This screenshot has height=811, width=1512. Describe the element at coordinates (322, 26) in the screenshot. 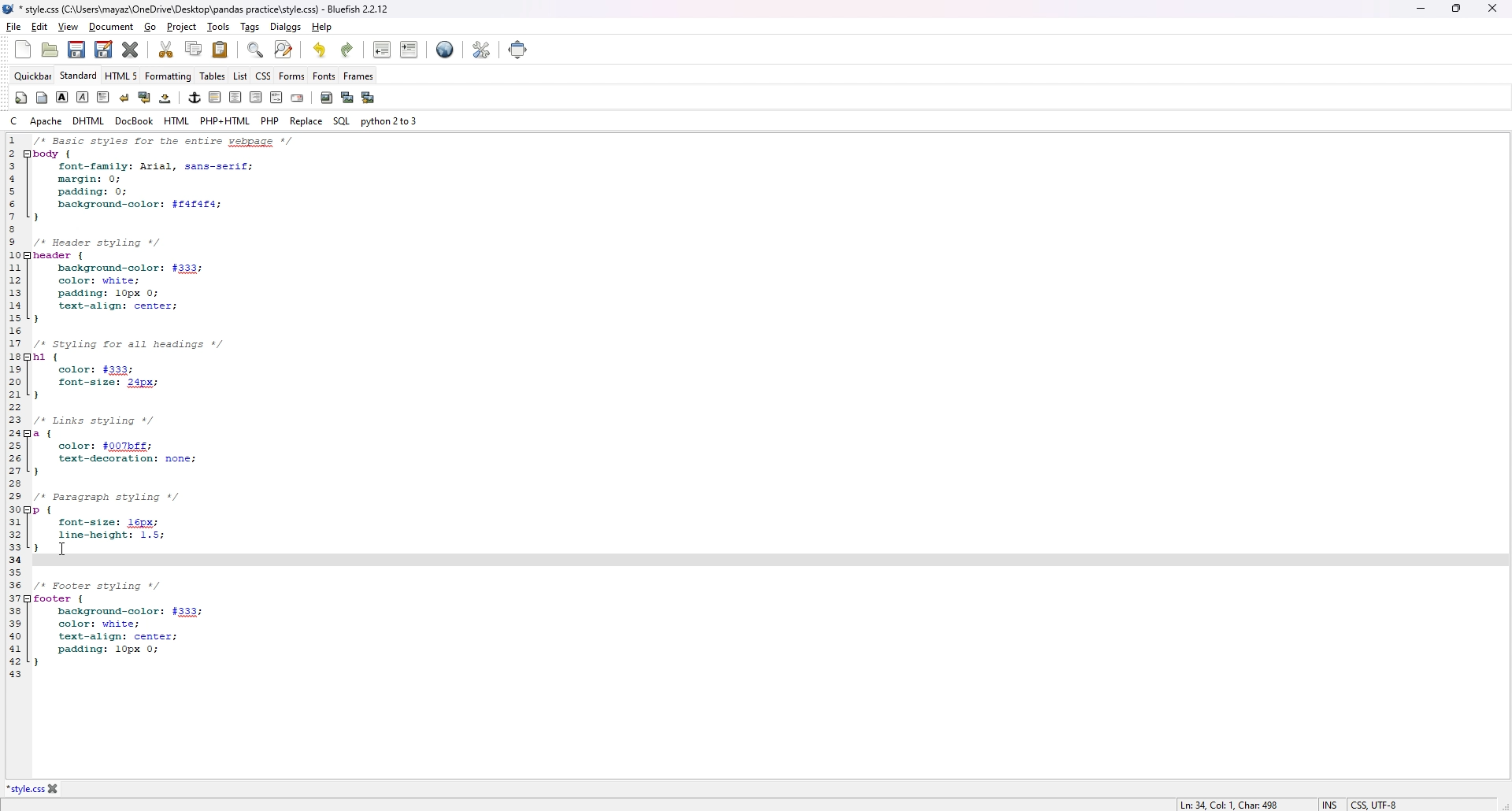

I see `help` at that location.